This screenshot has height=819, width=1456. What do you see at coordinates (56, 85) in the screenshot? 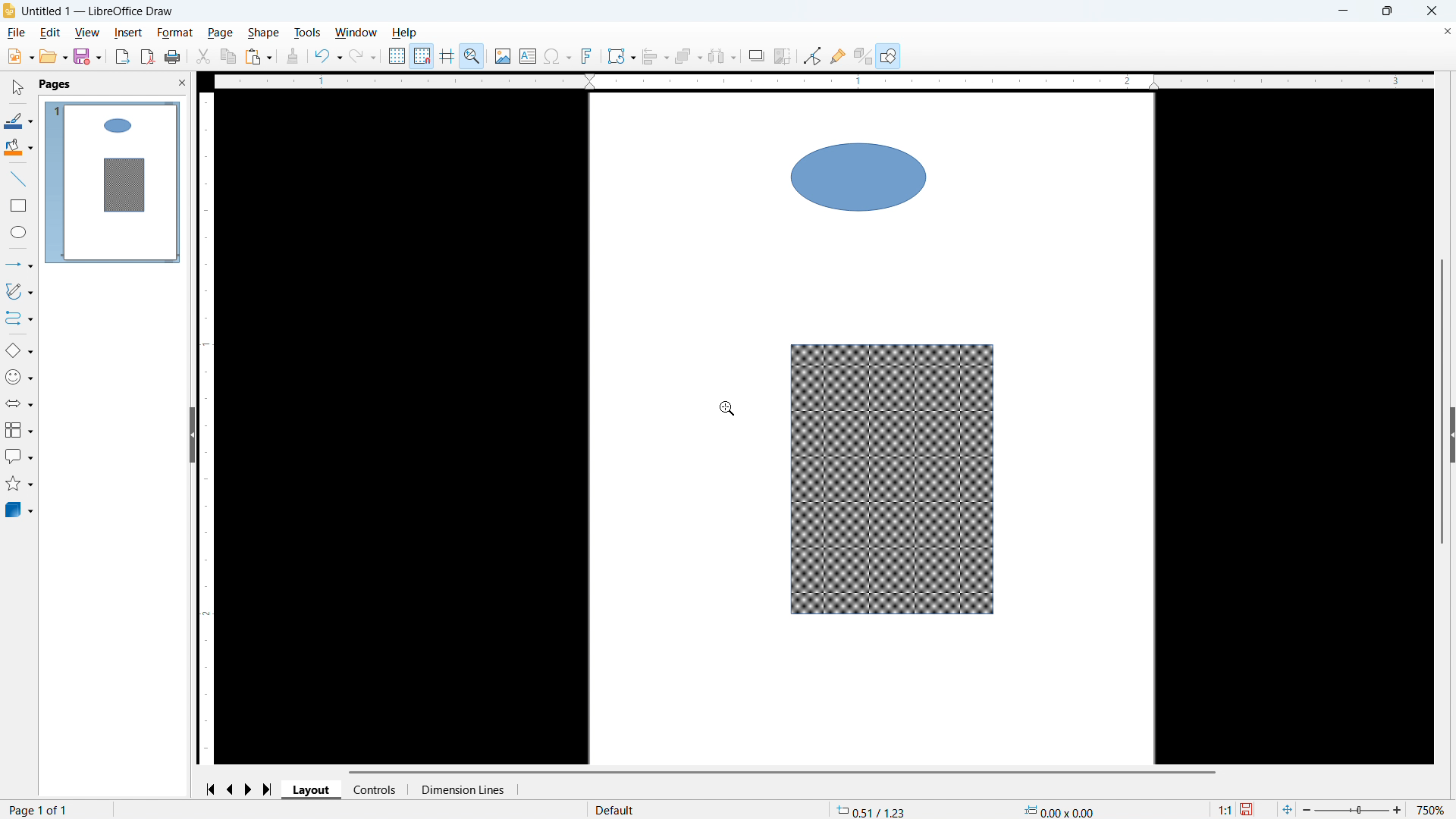
I see `pages ` at bounding box center [56, 85].